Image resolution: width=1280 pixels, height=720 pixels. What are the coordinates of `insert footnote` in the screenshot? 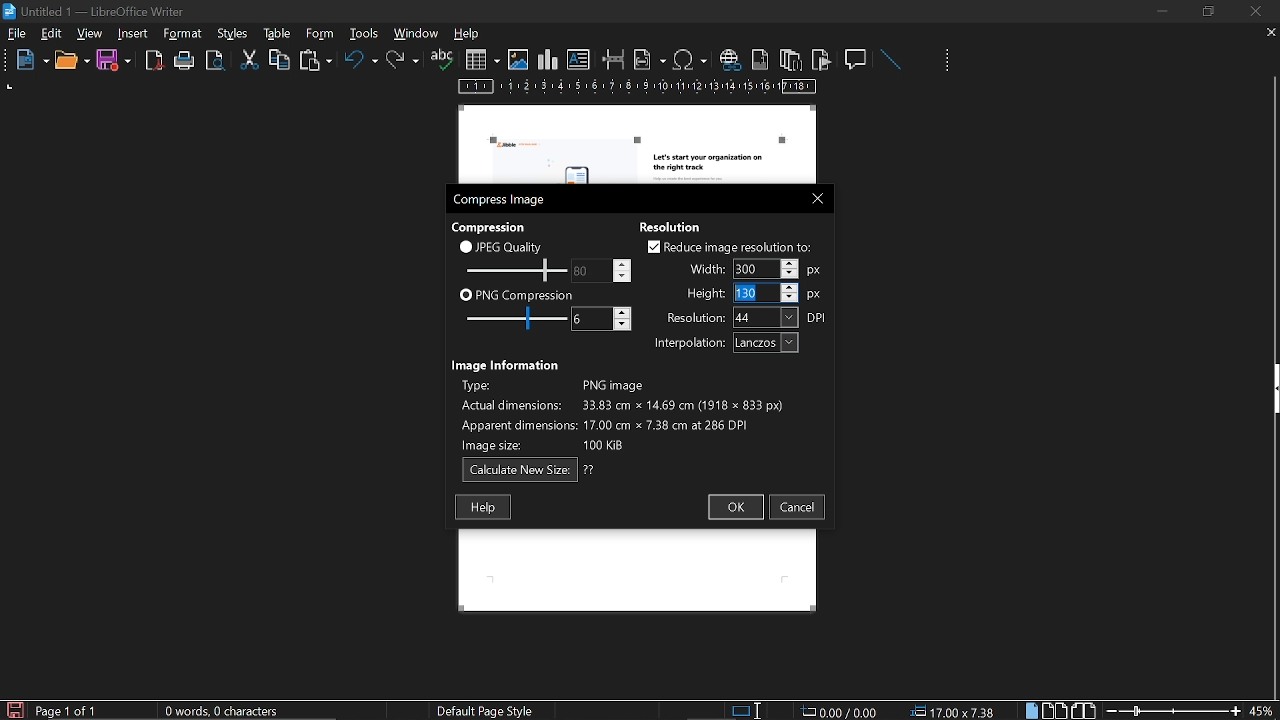 It's located at (758, 59).